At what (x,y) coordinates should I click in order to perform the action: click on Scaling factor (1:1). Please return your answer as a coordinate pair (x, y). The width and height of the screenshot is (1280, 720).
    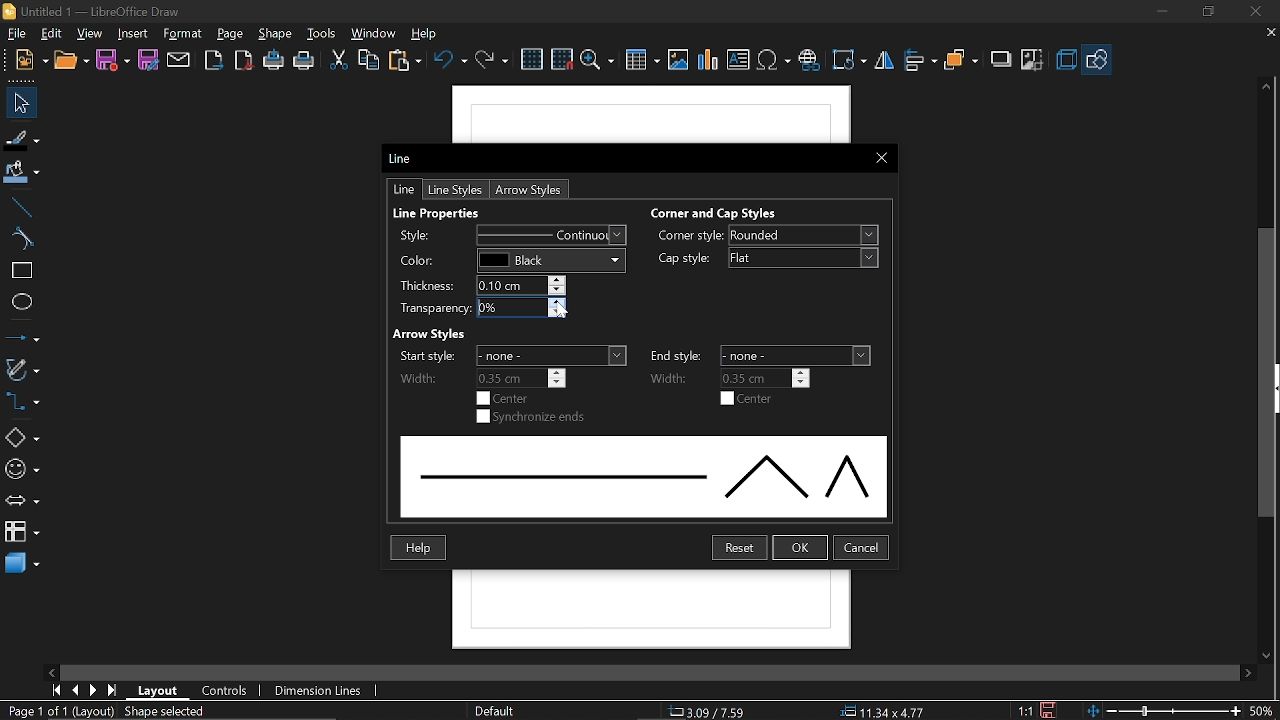
    Looking at the image, I should click on (1026, 711).